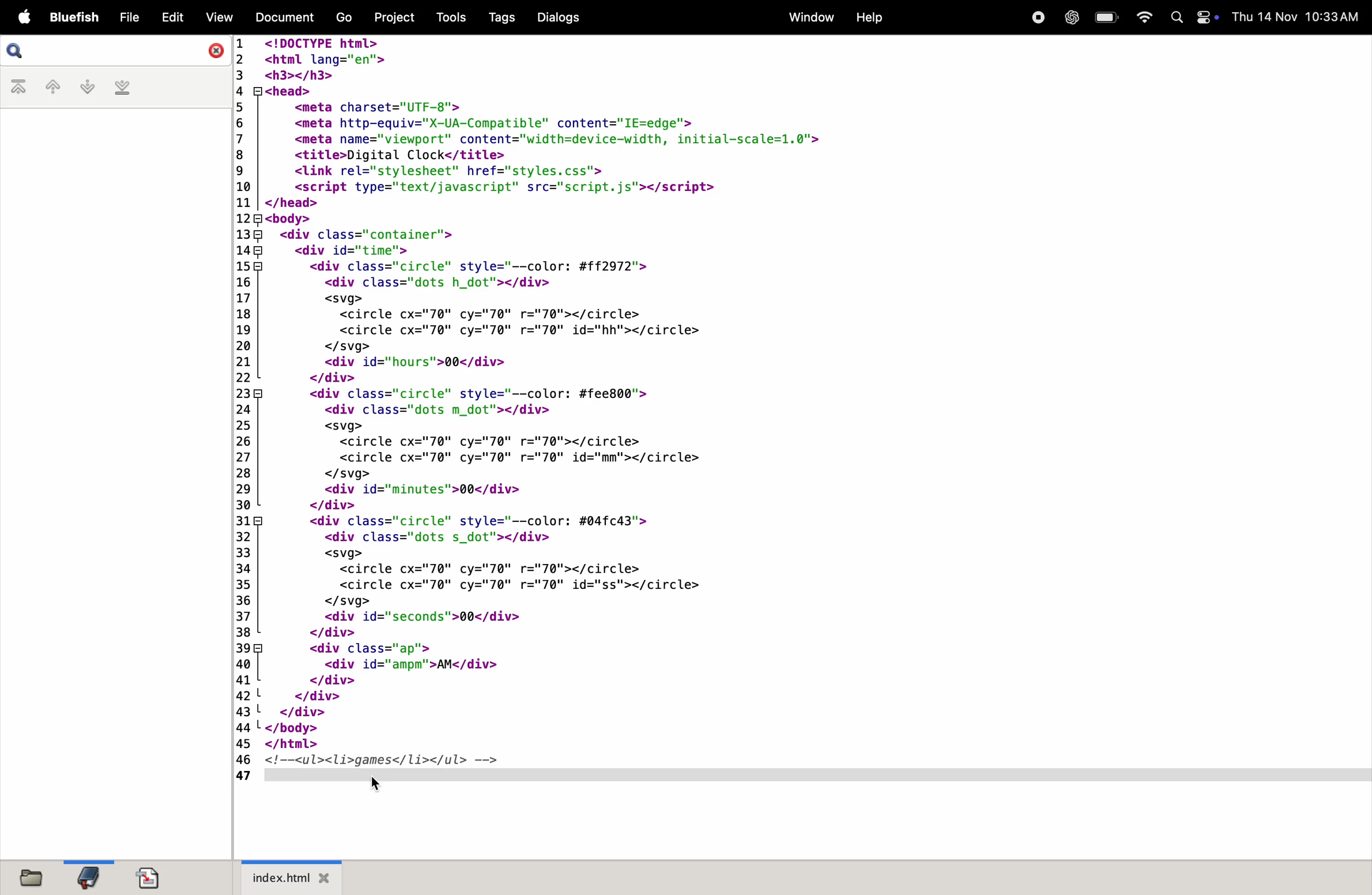 This screenshot has width=1372, height=895. What do you see at coordinates (499, 18) in the screenshot?
I see `Tags` at bounding box center [499, 18].